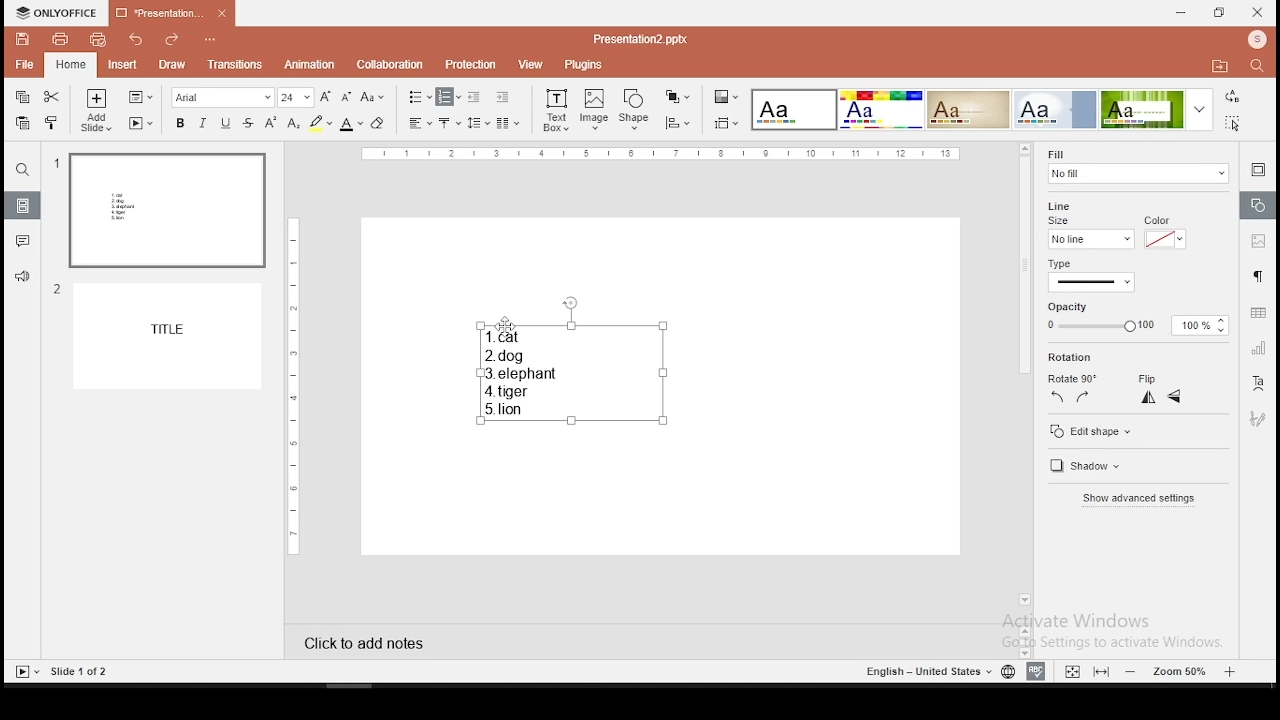 The image size is (1280, 720). I want to click on slides, so click(23, 205).